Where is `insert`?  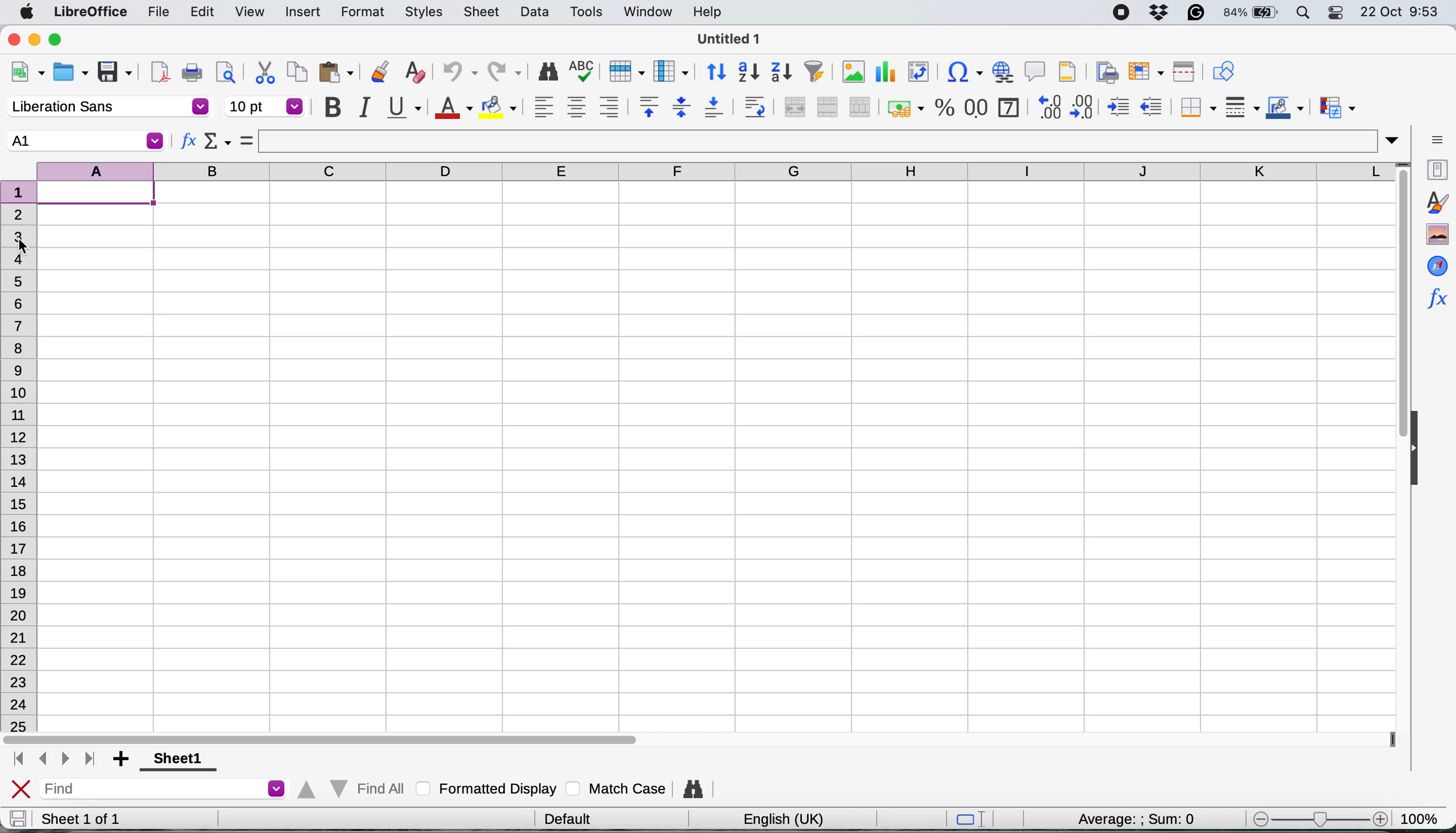
insert is located at coordinates (303, 13).